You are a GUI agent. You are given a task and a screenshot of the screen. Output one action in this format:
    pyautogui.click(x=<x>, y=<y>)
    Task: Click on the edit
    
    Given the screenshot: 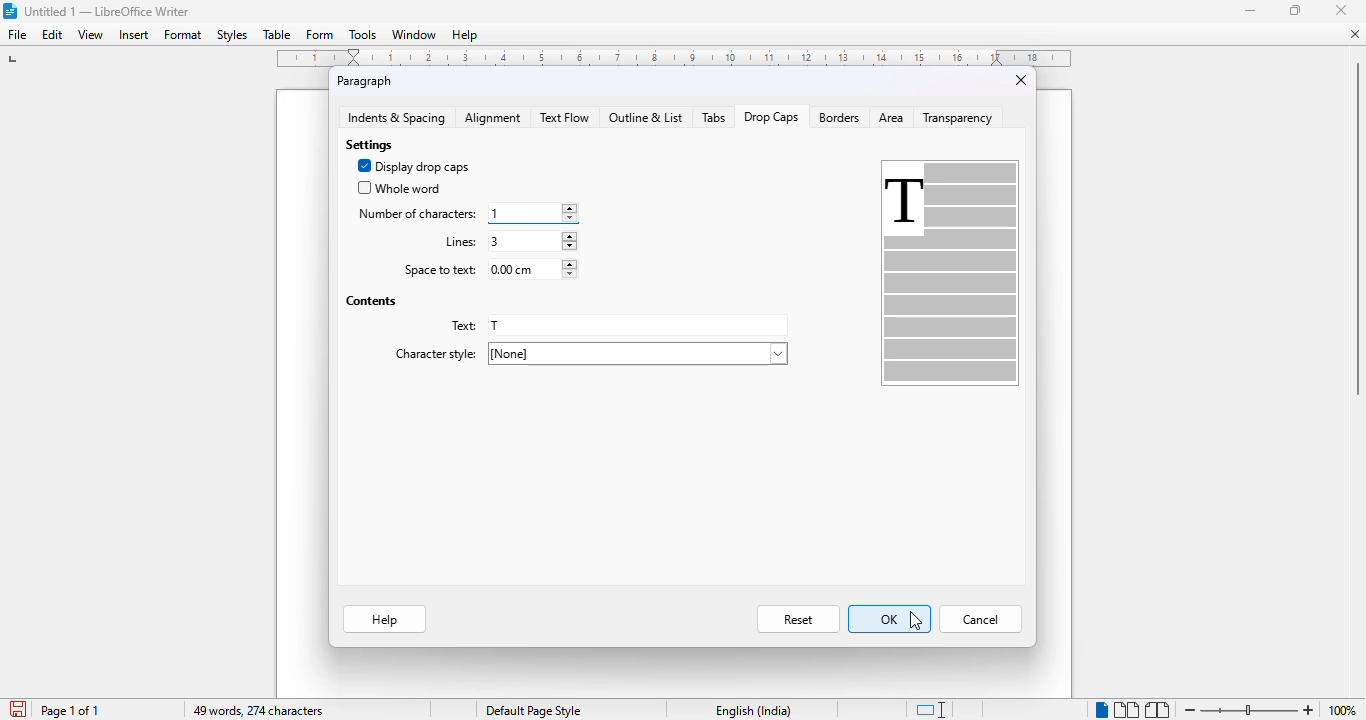 What is the action you would take?
    pyautogui.click(x=52, y=34)
    